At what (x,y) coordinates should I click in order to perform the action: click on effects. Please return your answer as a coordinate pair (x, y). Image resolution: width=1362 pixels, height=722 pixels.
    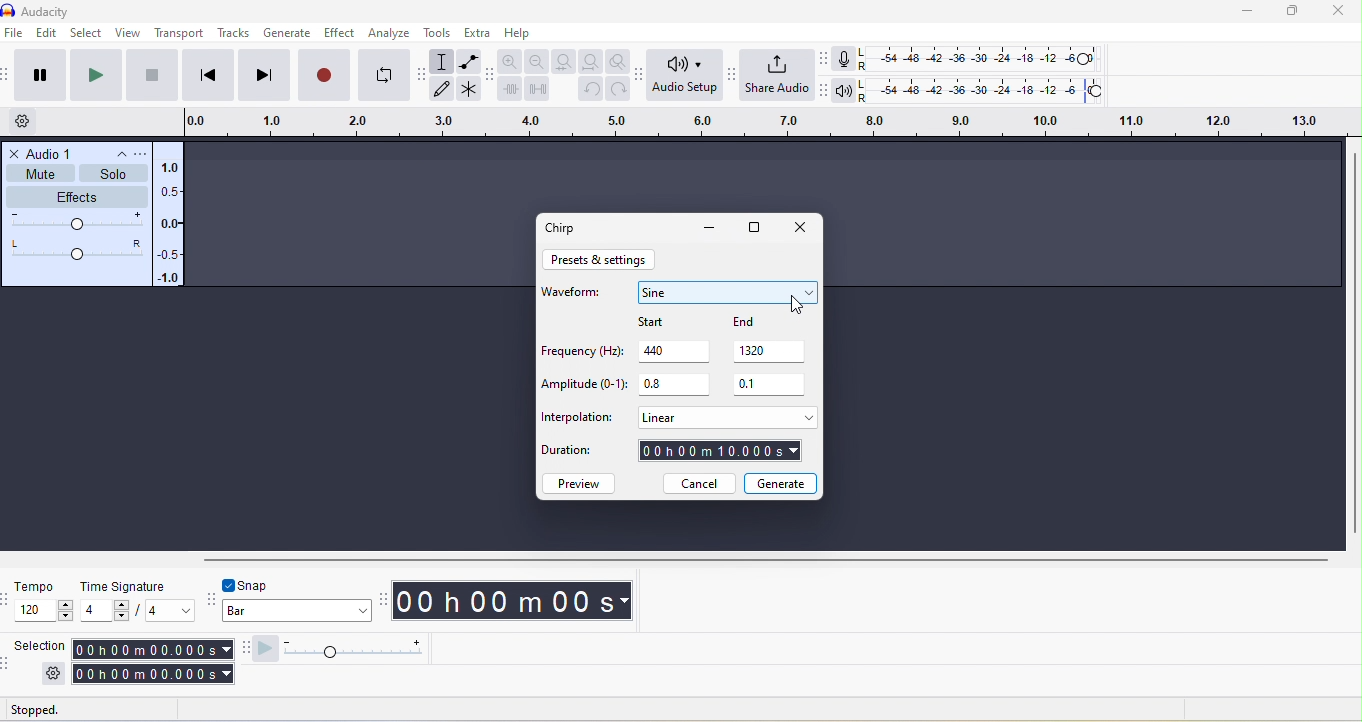
    Looking at the image, I should click on (79, 196).